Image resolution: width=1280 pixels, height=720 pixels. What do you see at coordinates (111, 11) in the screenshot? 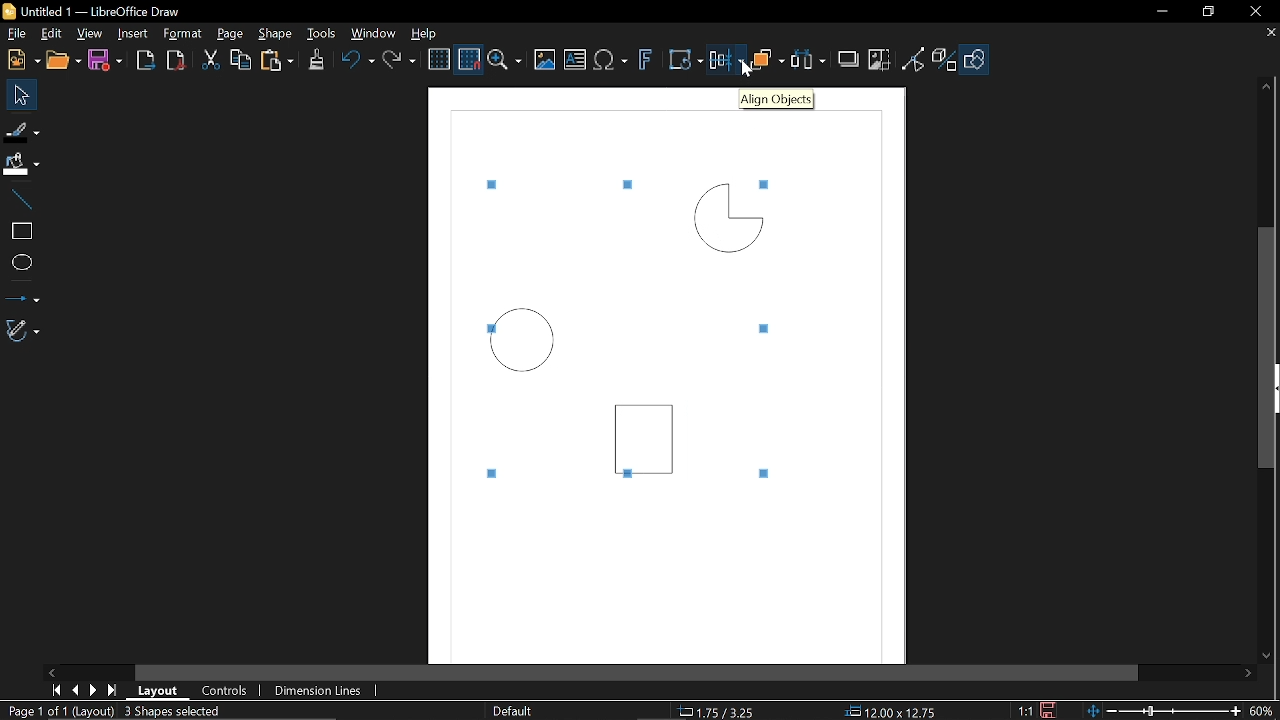
I see `Untitled 1 — LibreOffice Draw` at bounding box center [111, 11].